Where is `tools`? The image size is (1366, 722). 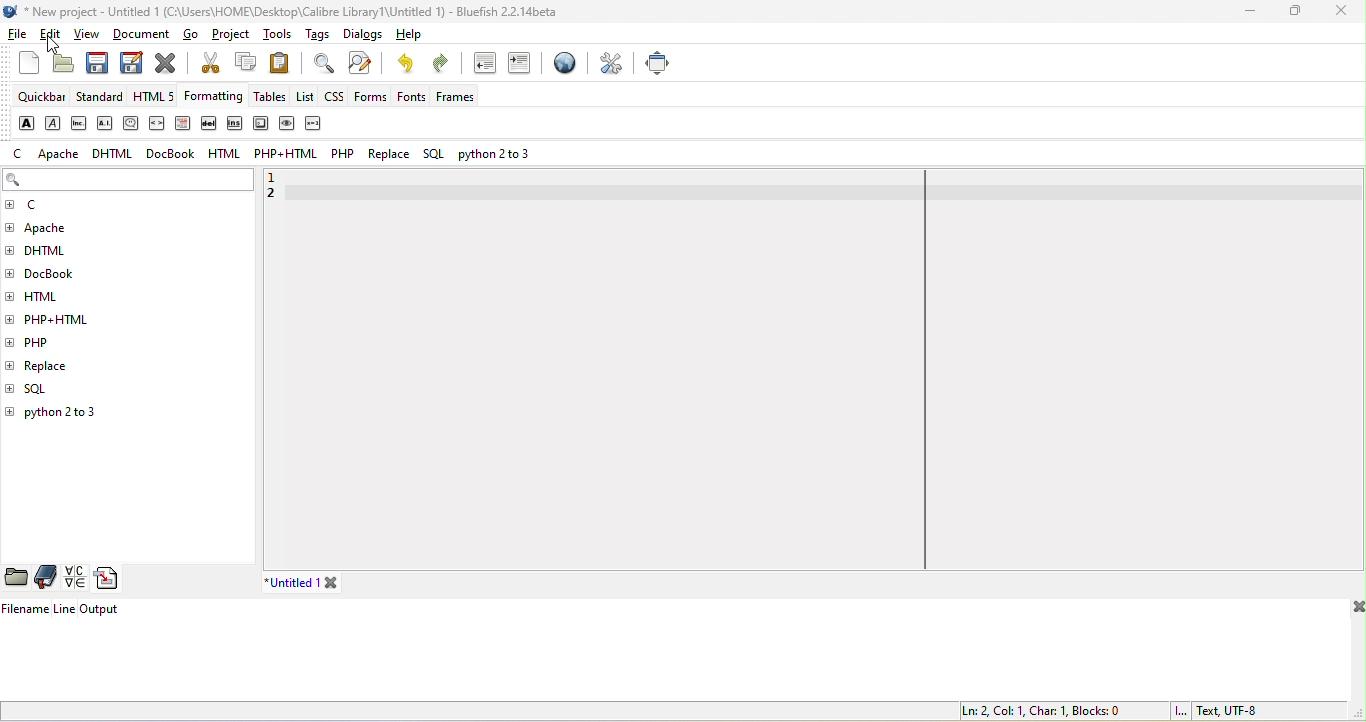
tools is located at coordinates (275, 37).